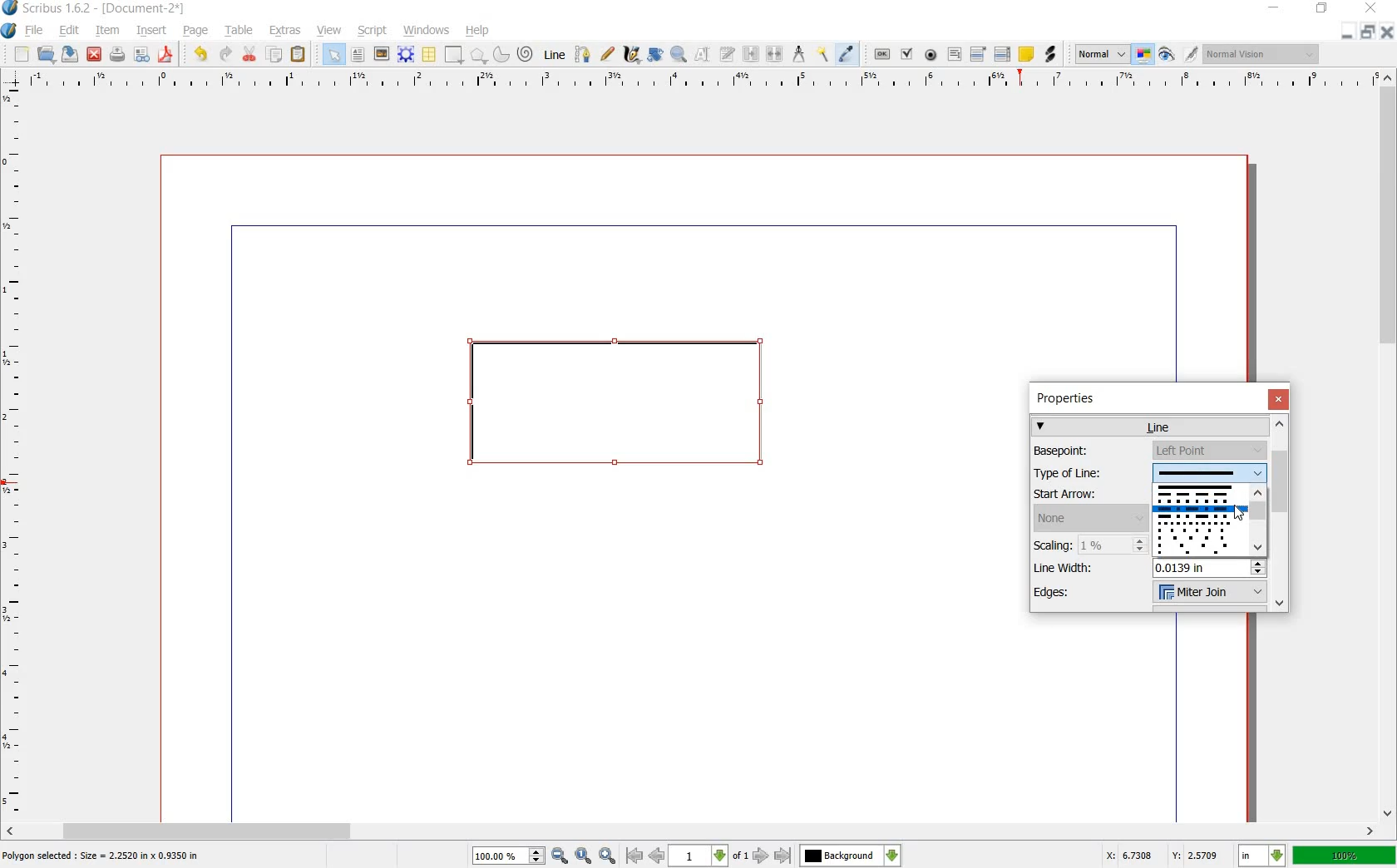 This screenshot has width=1397, height=868. Describe the element at coordinates (608, 856) in the screenshot. I see `zoom in` at that location.